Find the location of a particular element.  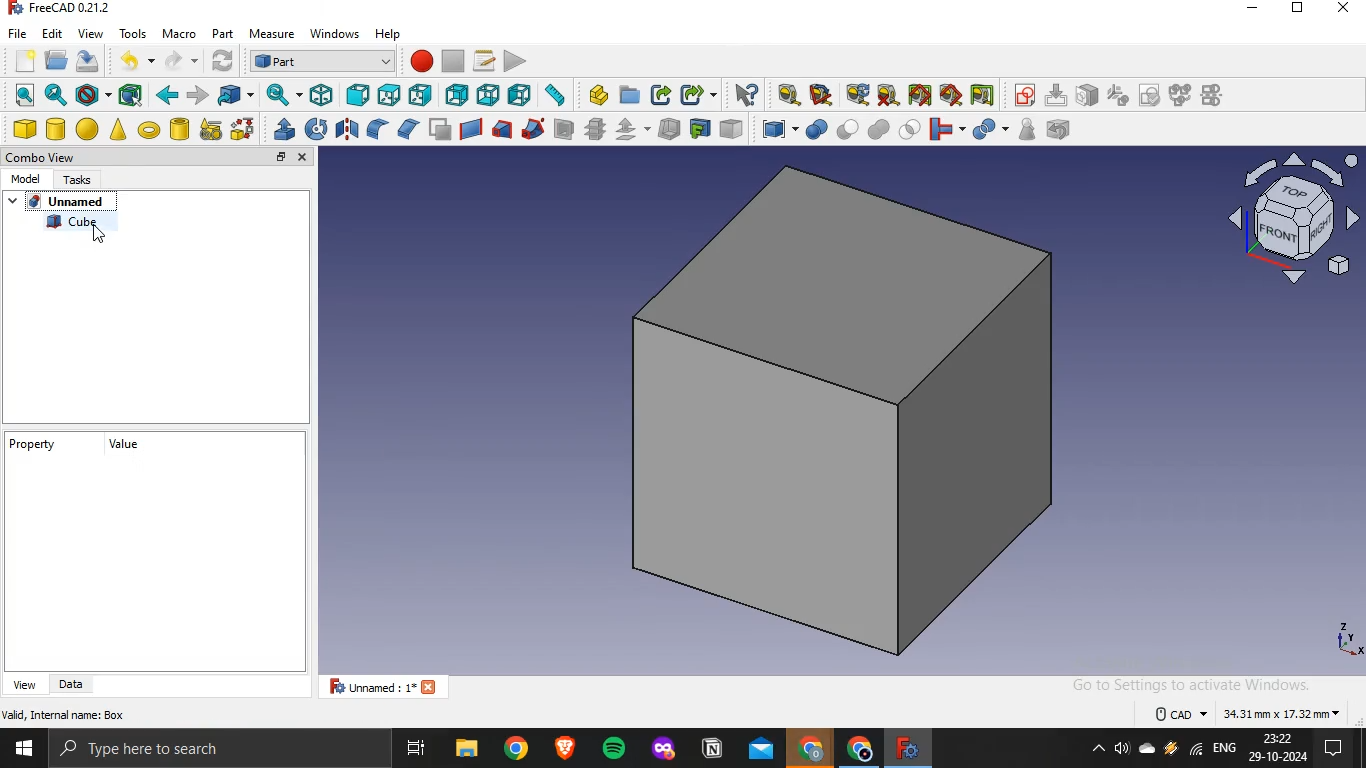

macro is located at coordinates (178, 34).